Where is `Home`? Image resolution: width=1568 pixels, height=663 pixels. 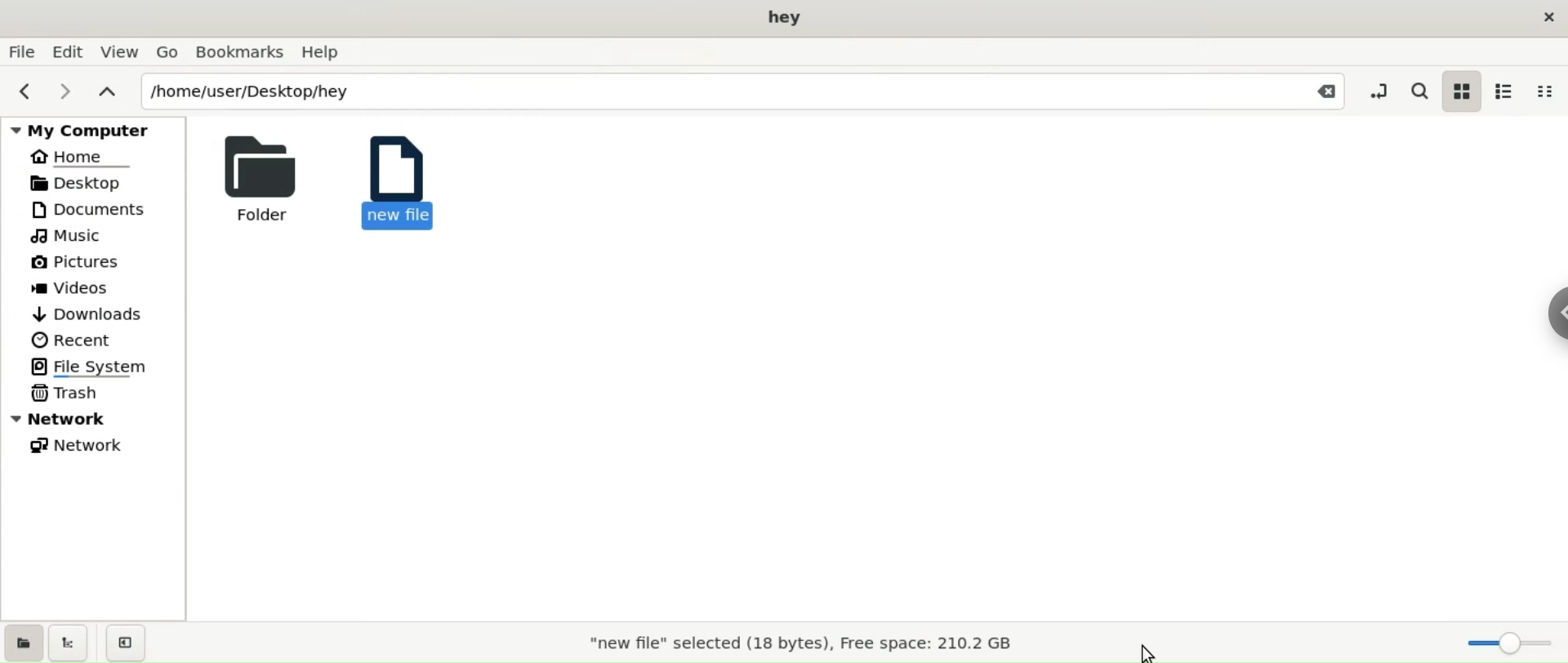 Home is located at coordinates (83, 158).